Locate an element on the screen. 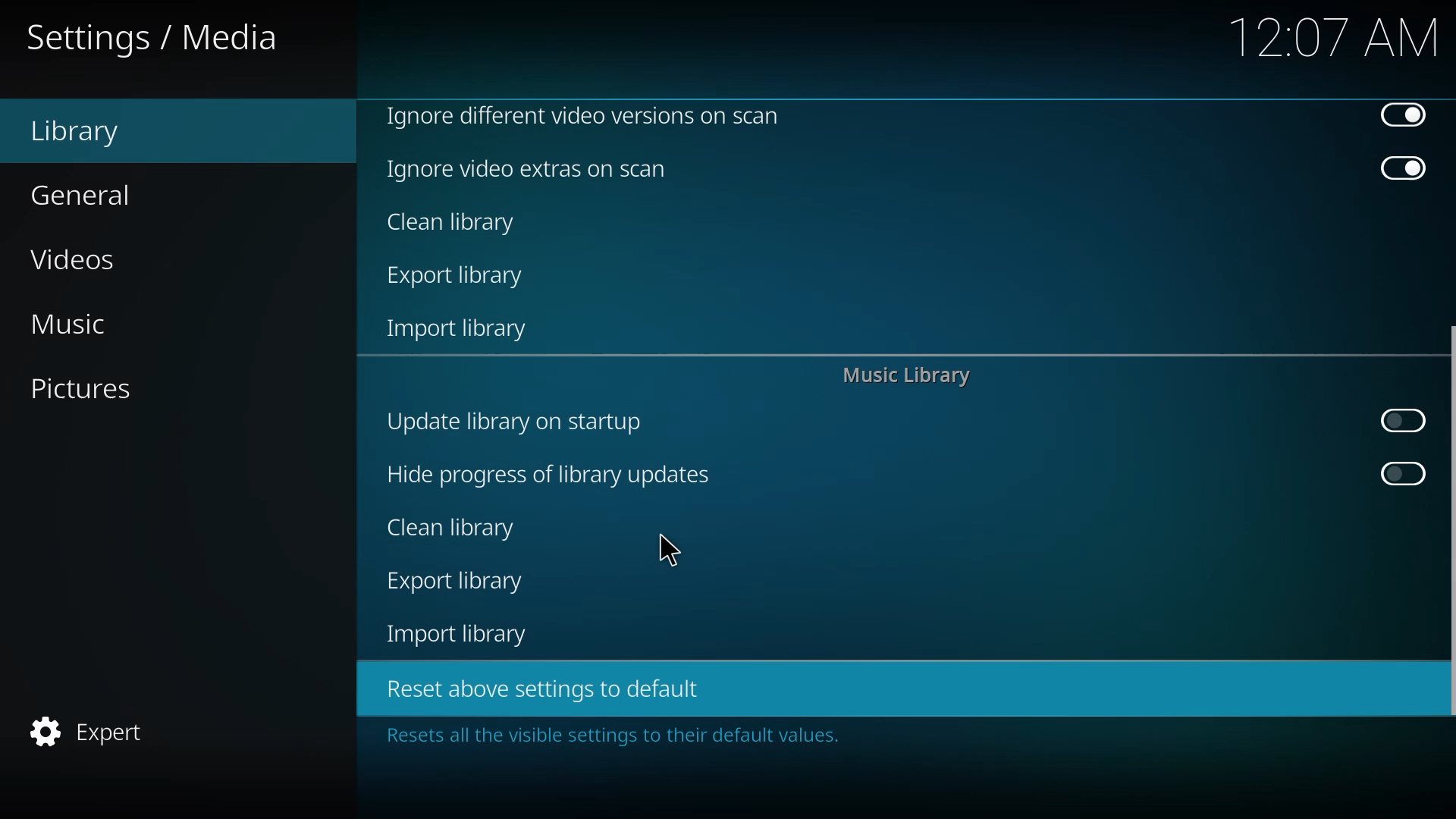 Image resolution: width=1456 pixels, height=819 pixels. export is located at coordinates (460, 278).